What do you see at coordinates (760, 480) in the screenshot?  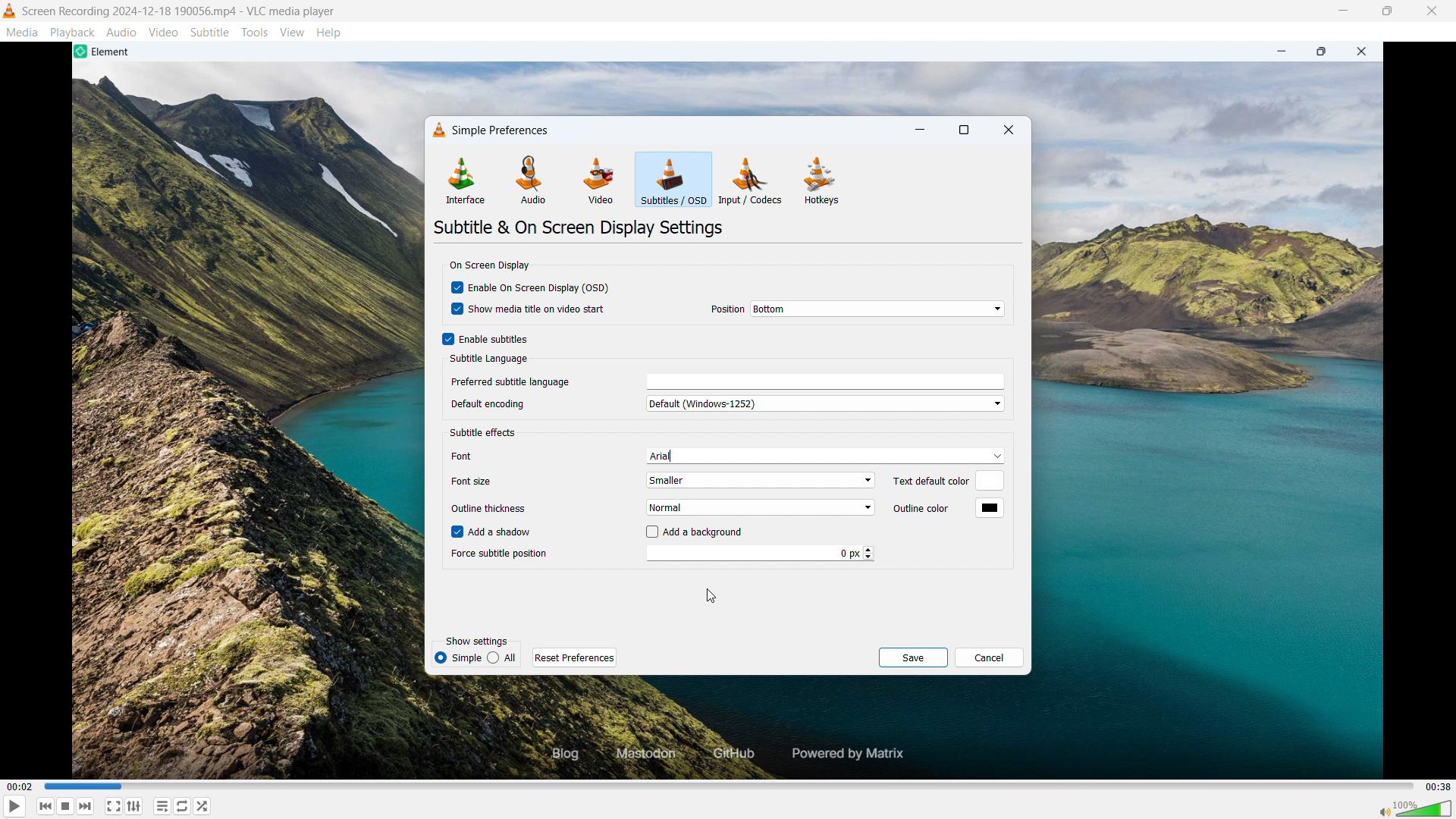 I see `set font size` at bounding box center [760, 480].